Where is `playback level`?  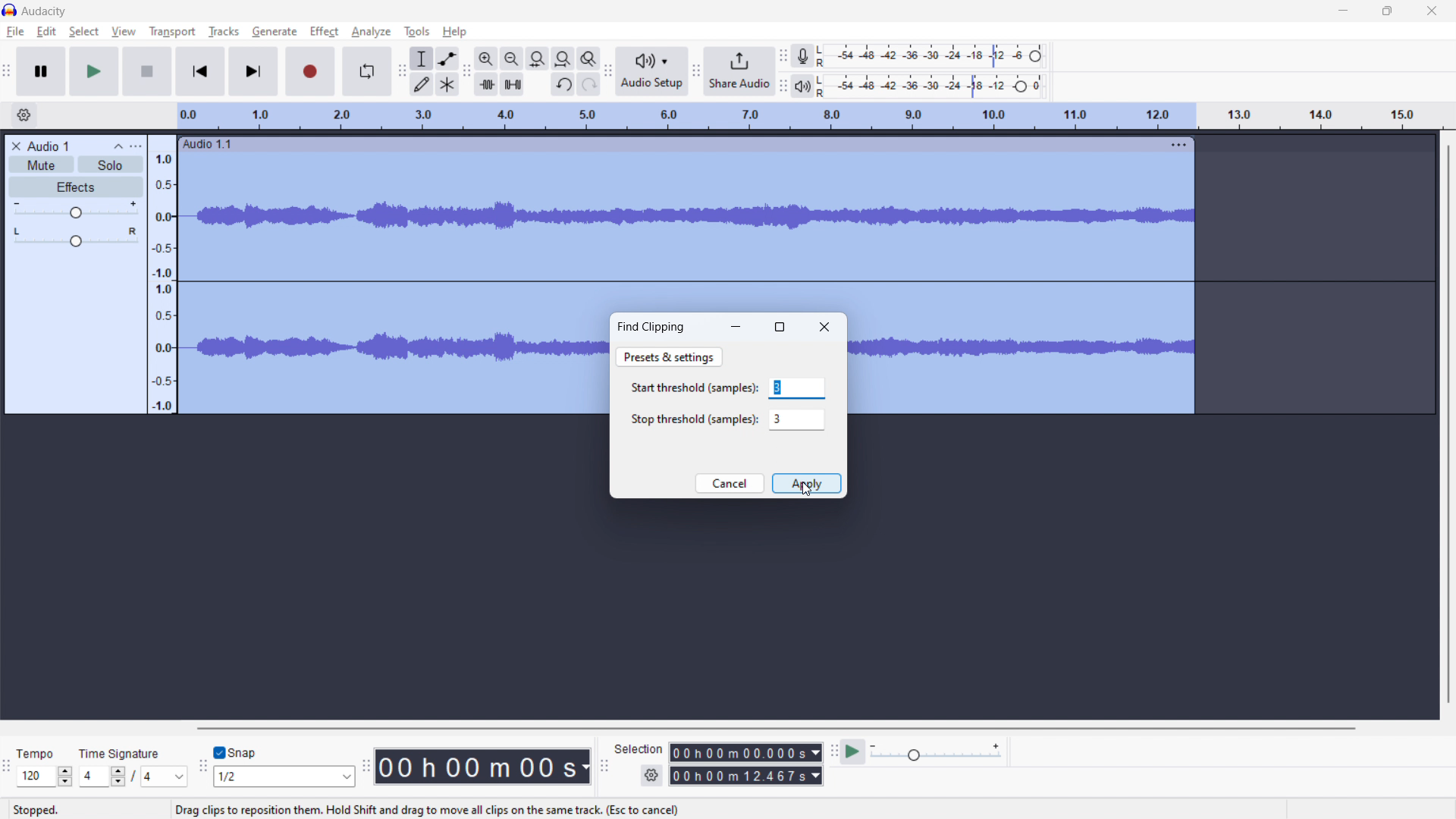 playback level is located at coordinates (931, 86).